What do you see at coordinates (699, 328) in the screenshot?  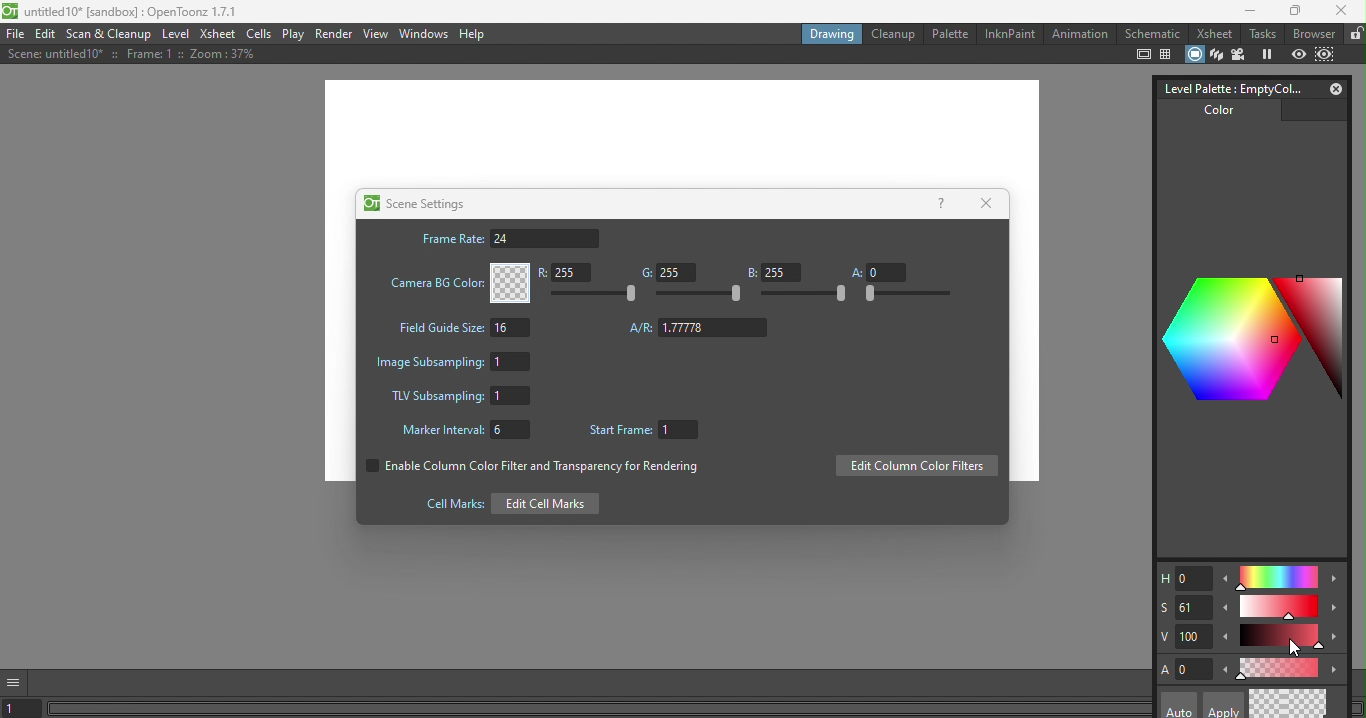 I see `Aspect ratio` at bounding box center [699, 328].